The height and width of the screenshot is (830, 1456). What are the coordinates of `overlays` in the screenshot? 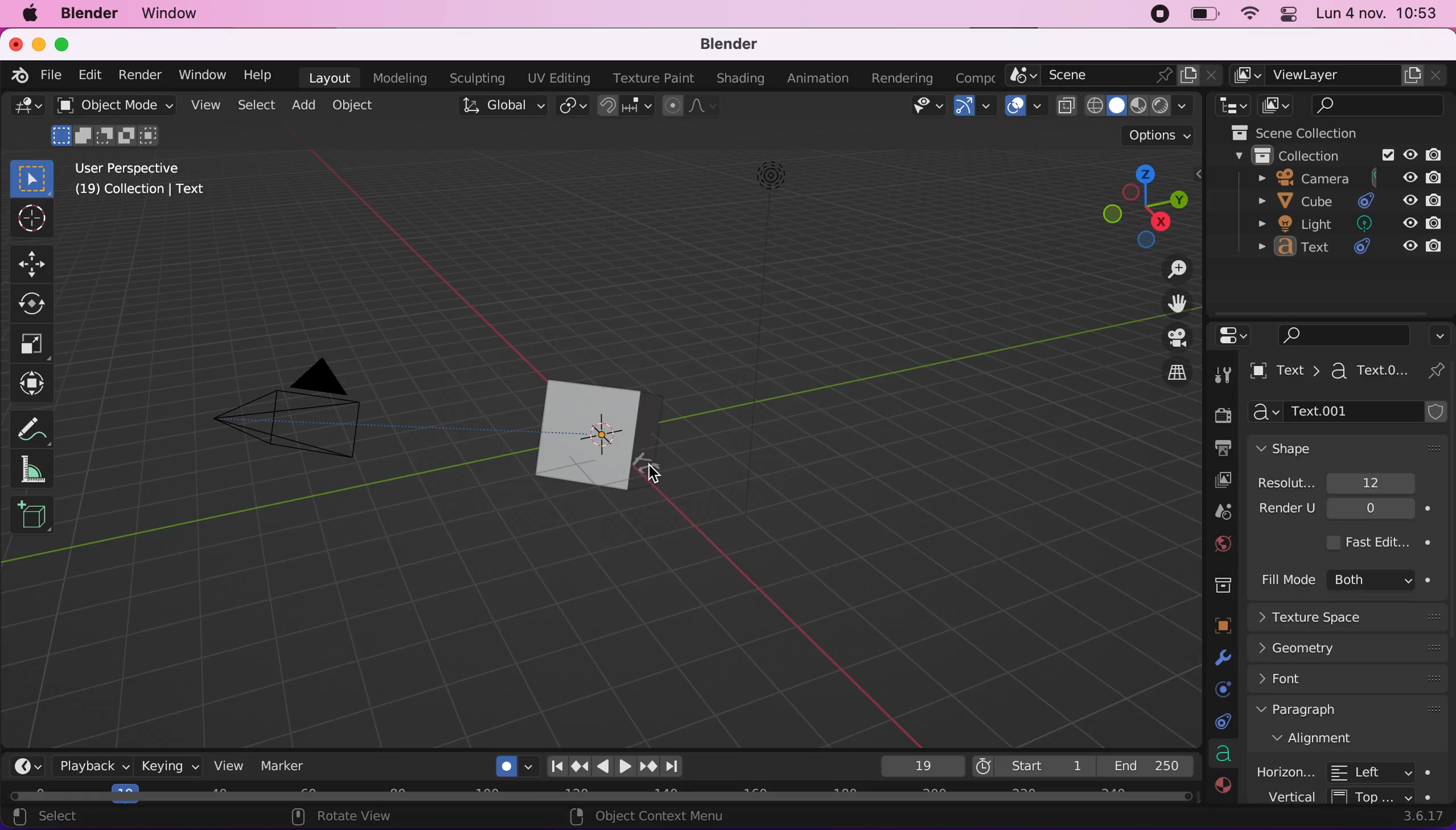 It's located at (1026, 105).